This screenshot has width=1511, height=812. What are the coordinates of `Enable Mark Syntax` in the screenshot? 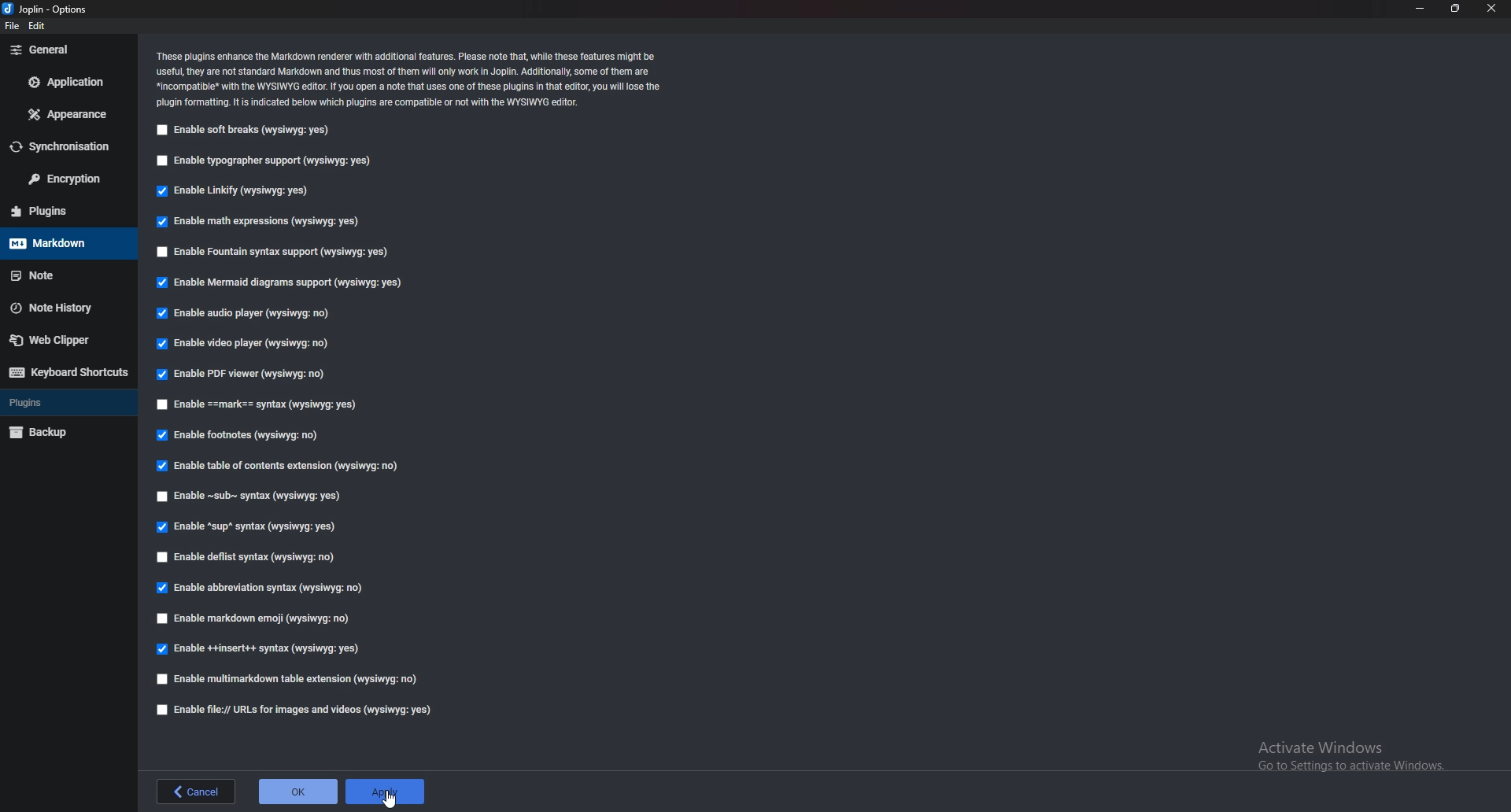 It's located at (261, 407).